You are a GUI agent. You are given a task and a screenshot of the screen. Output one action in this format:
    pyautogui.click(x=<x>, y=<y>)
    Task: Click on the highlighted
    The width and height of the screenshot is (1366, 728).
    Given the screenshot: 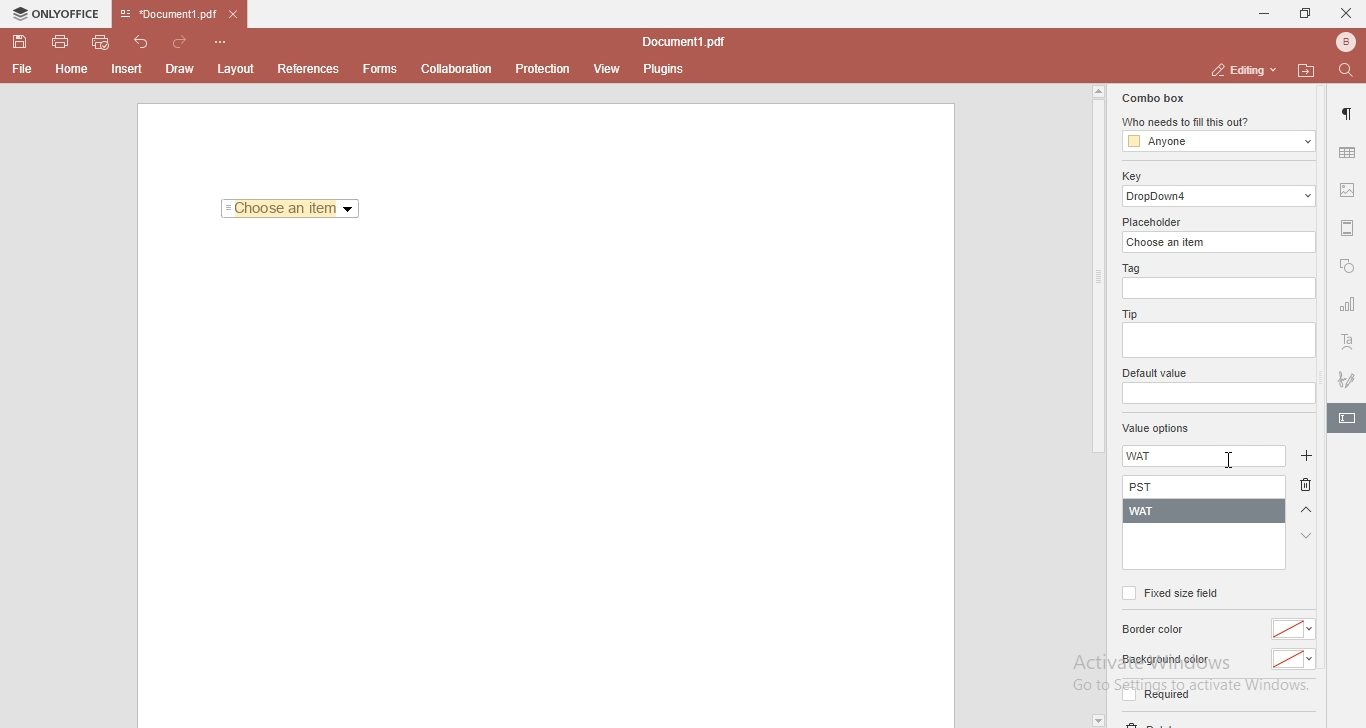 What is the action you would take?
    pyautogui.click(x=1346, y=420)
    